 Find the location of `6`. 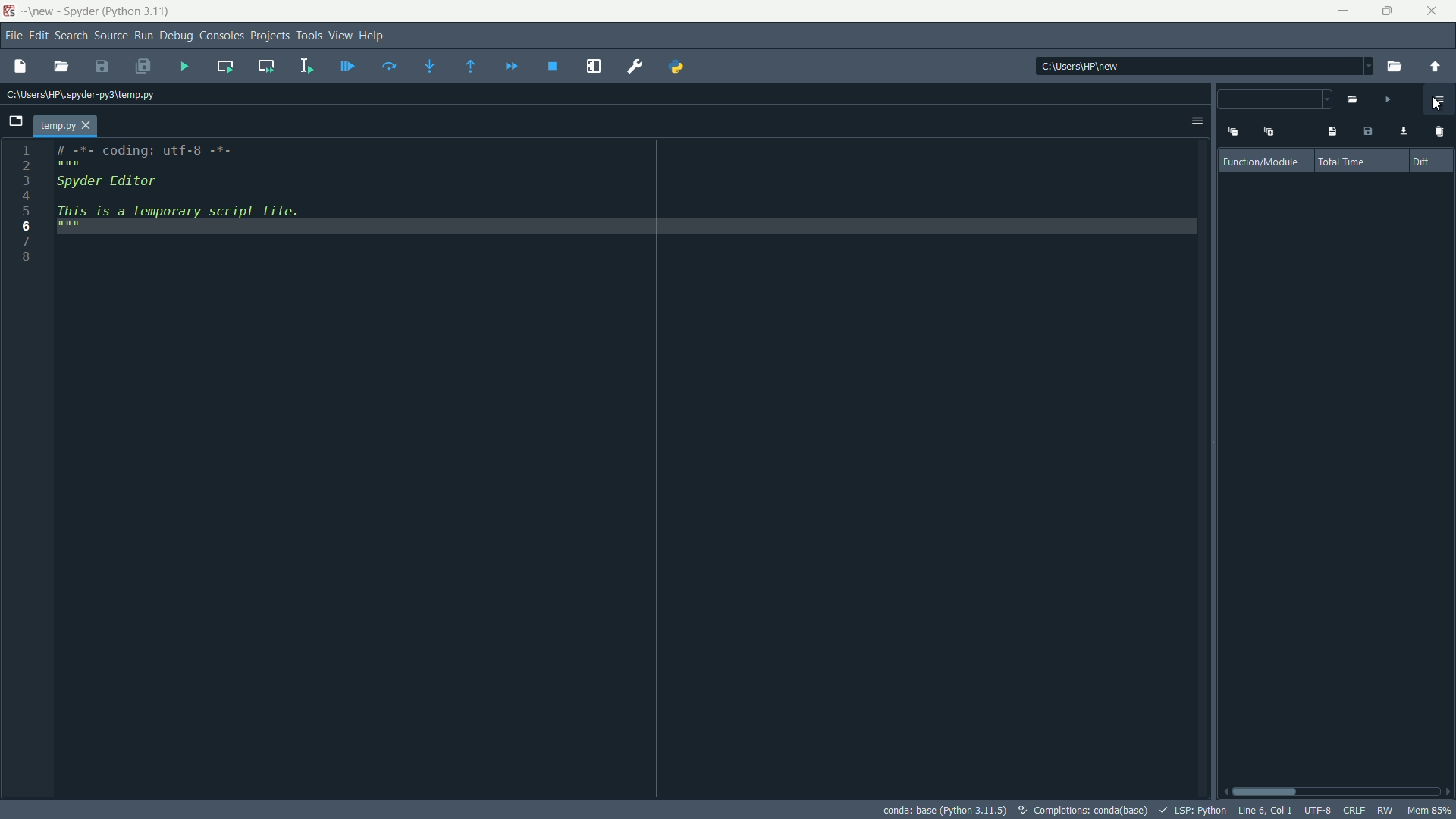

6 is located at coordinates (28, 227).